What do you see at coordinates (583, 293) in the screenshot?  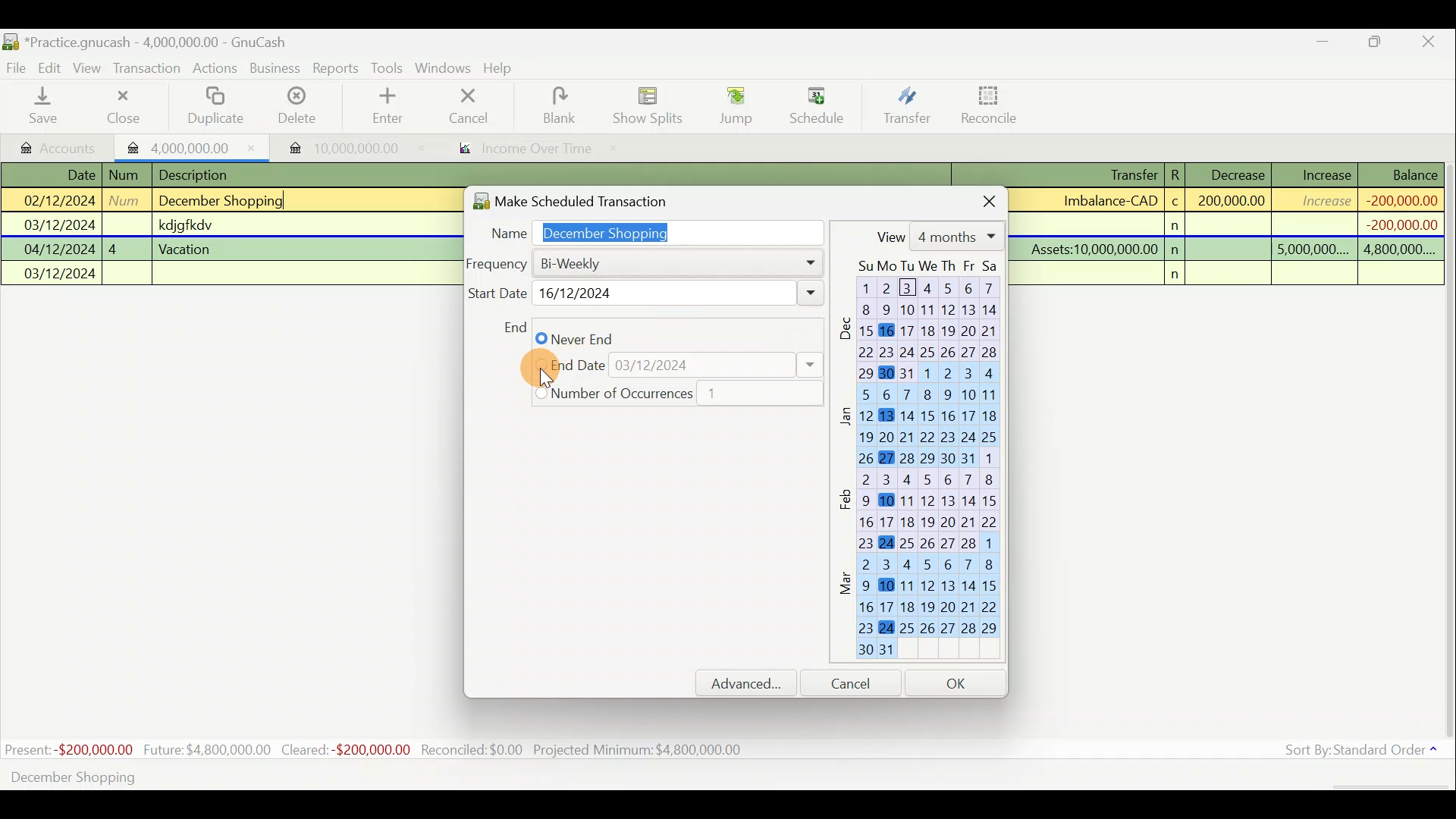 I see `Weekly` at bounding box center [583, 293].